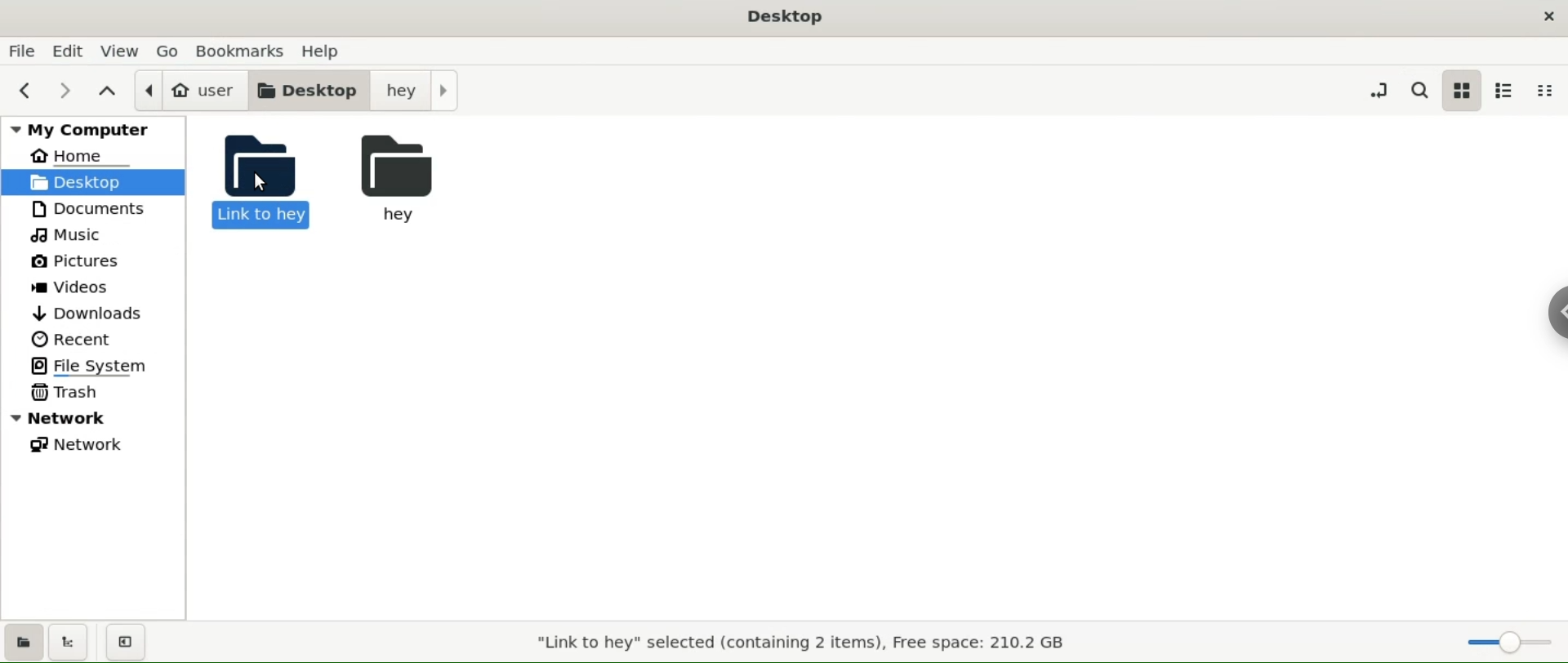 This screenshot has width=1568, height=663. I want to click on network, so click(78, 444).